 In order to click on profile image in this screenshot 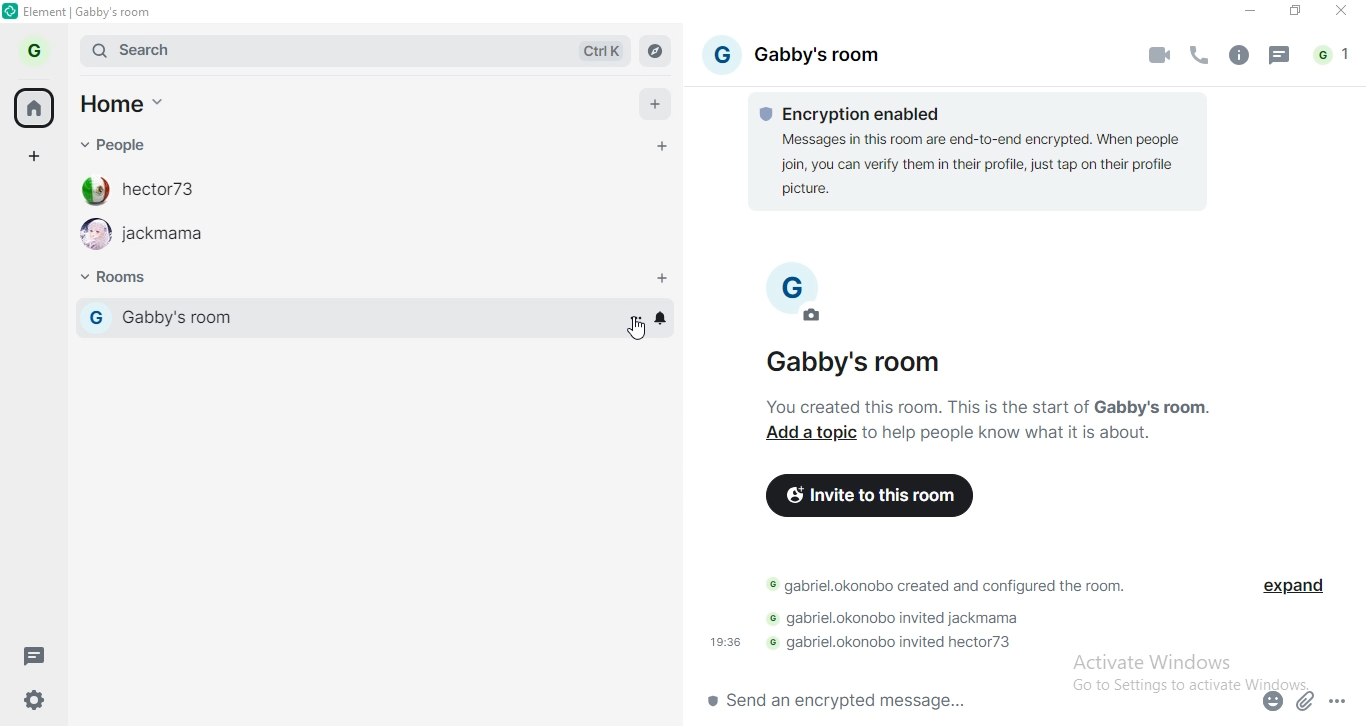, I will do `click(91, 190)`.